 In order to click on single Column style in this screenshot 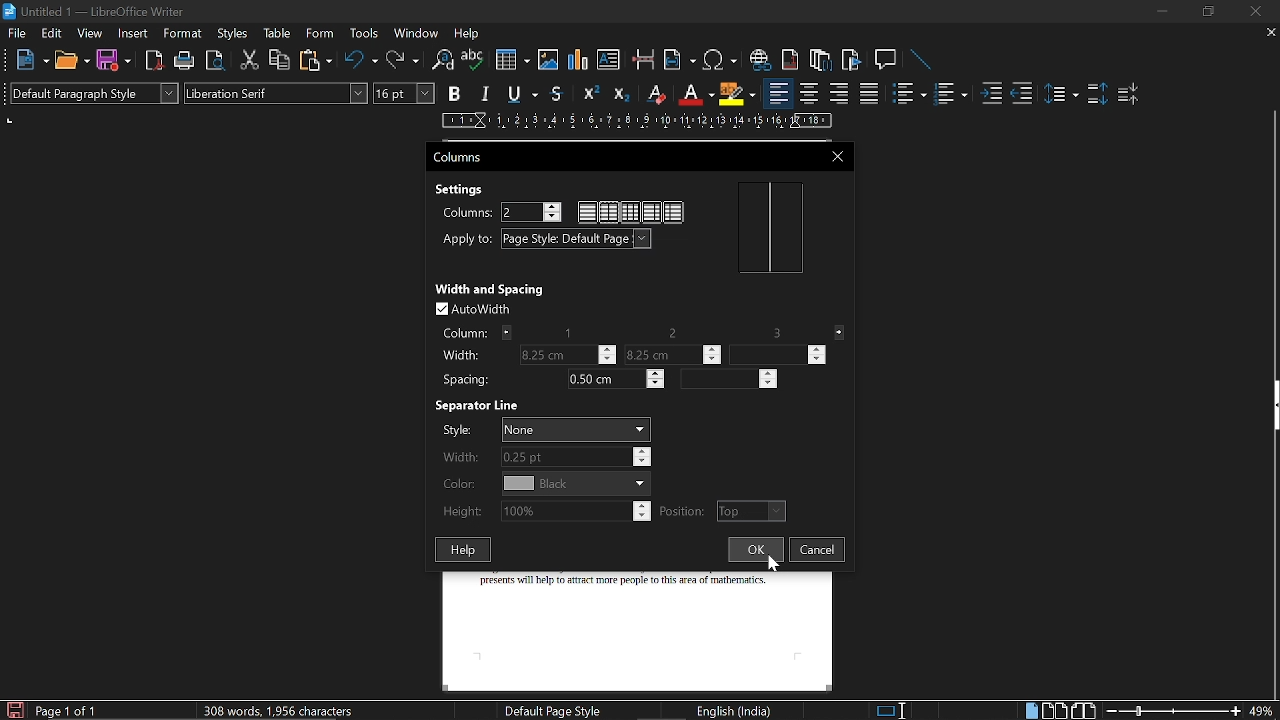, I will do `click(587, 213)`.